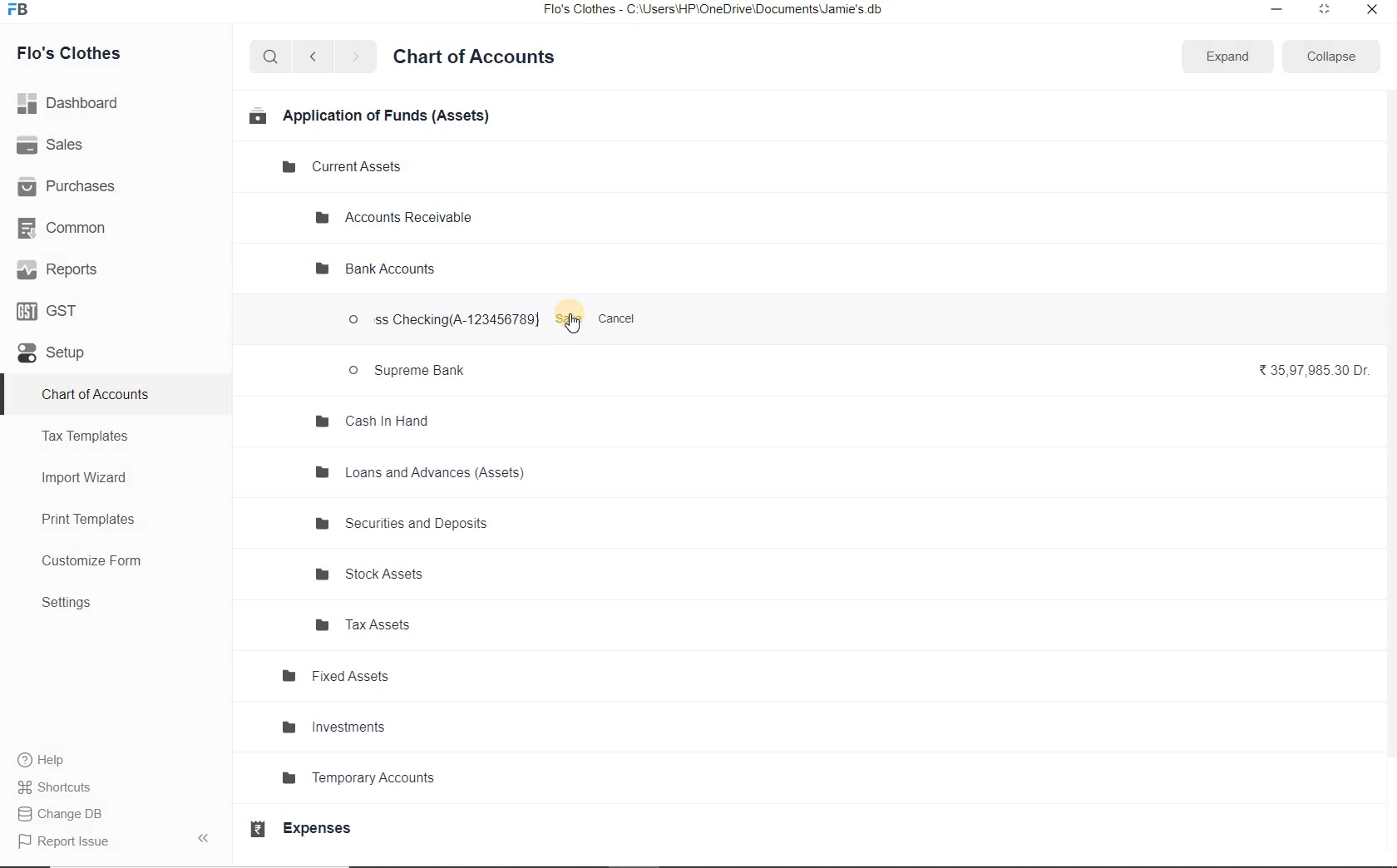 Image resolution: width=1397 pixels, height=868 pixels. I want to click on Print Templates, so click(104, 519).